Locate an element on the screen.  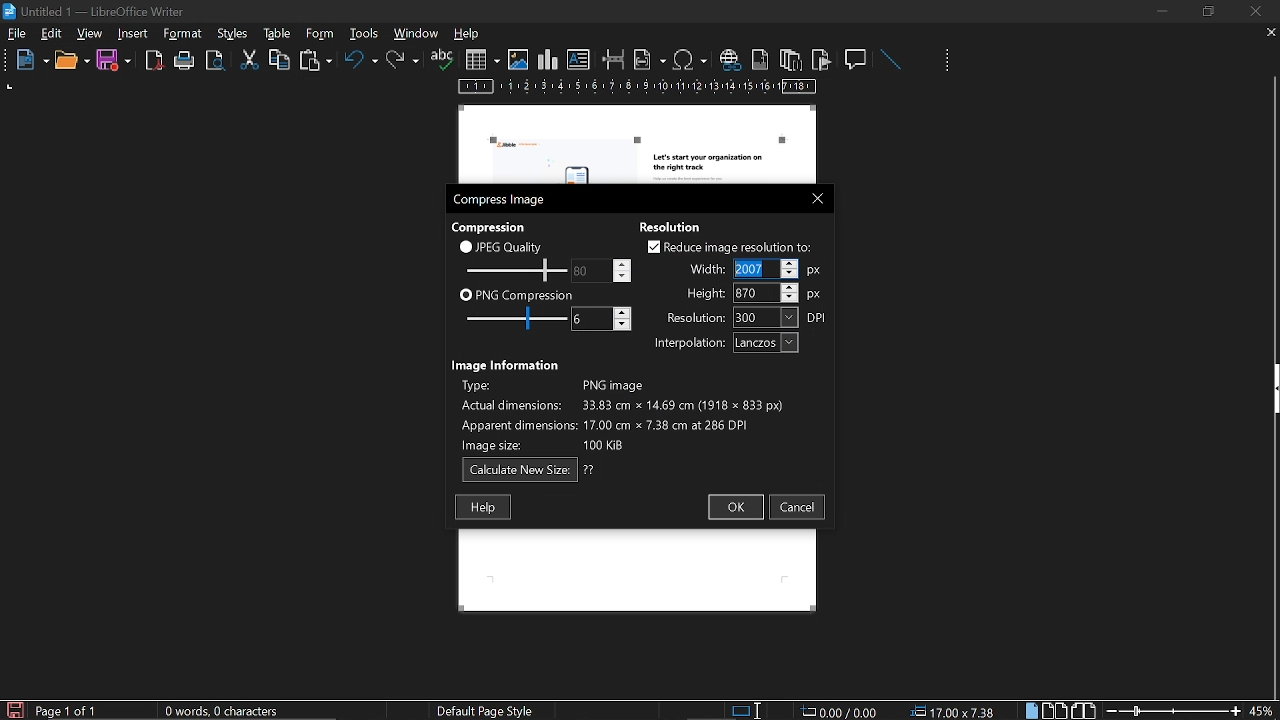
window is located at coordinates (417, 33).